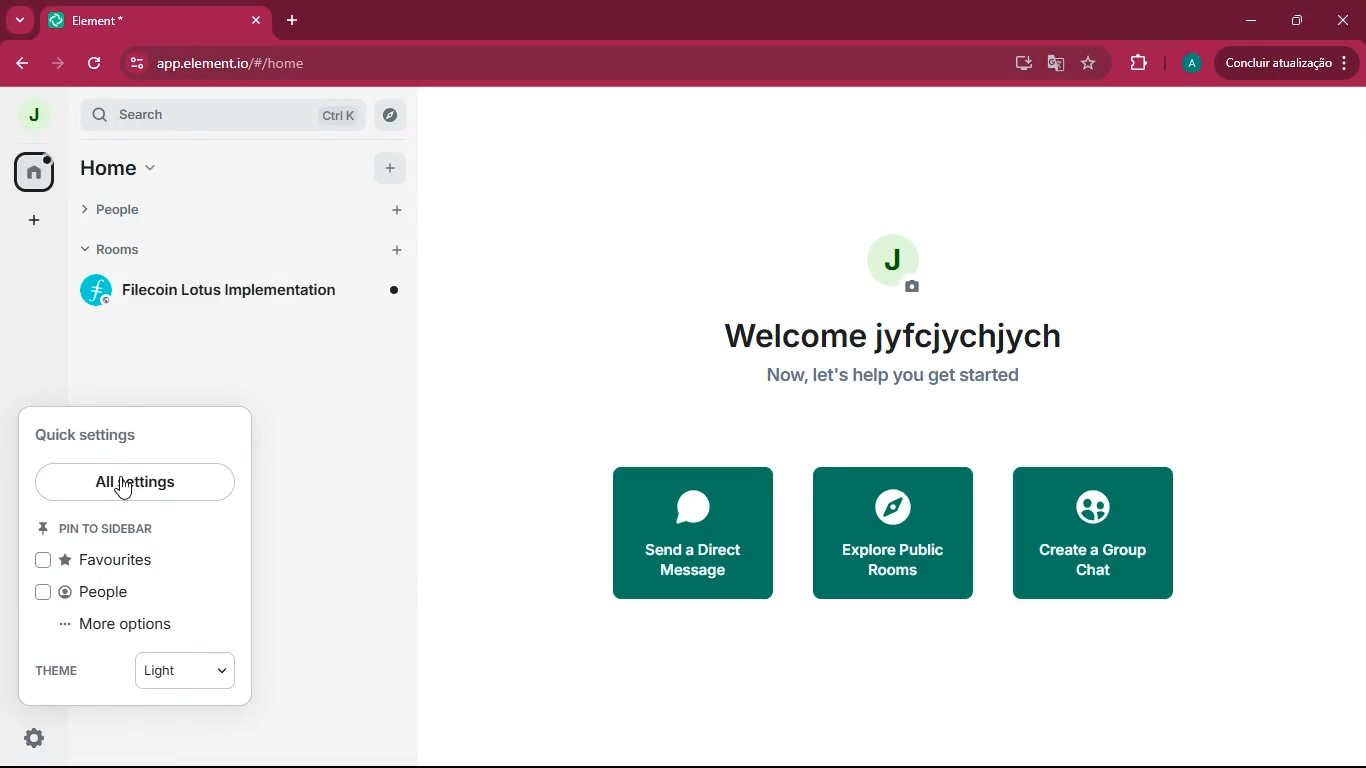 The height and width of the screenshot is (768, 1366). What do you see at coordinates (886, 259) in the screenshot?
I see `profile picture` at bounding box center [886, 259].